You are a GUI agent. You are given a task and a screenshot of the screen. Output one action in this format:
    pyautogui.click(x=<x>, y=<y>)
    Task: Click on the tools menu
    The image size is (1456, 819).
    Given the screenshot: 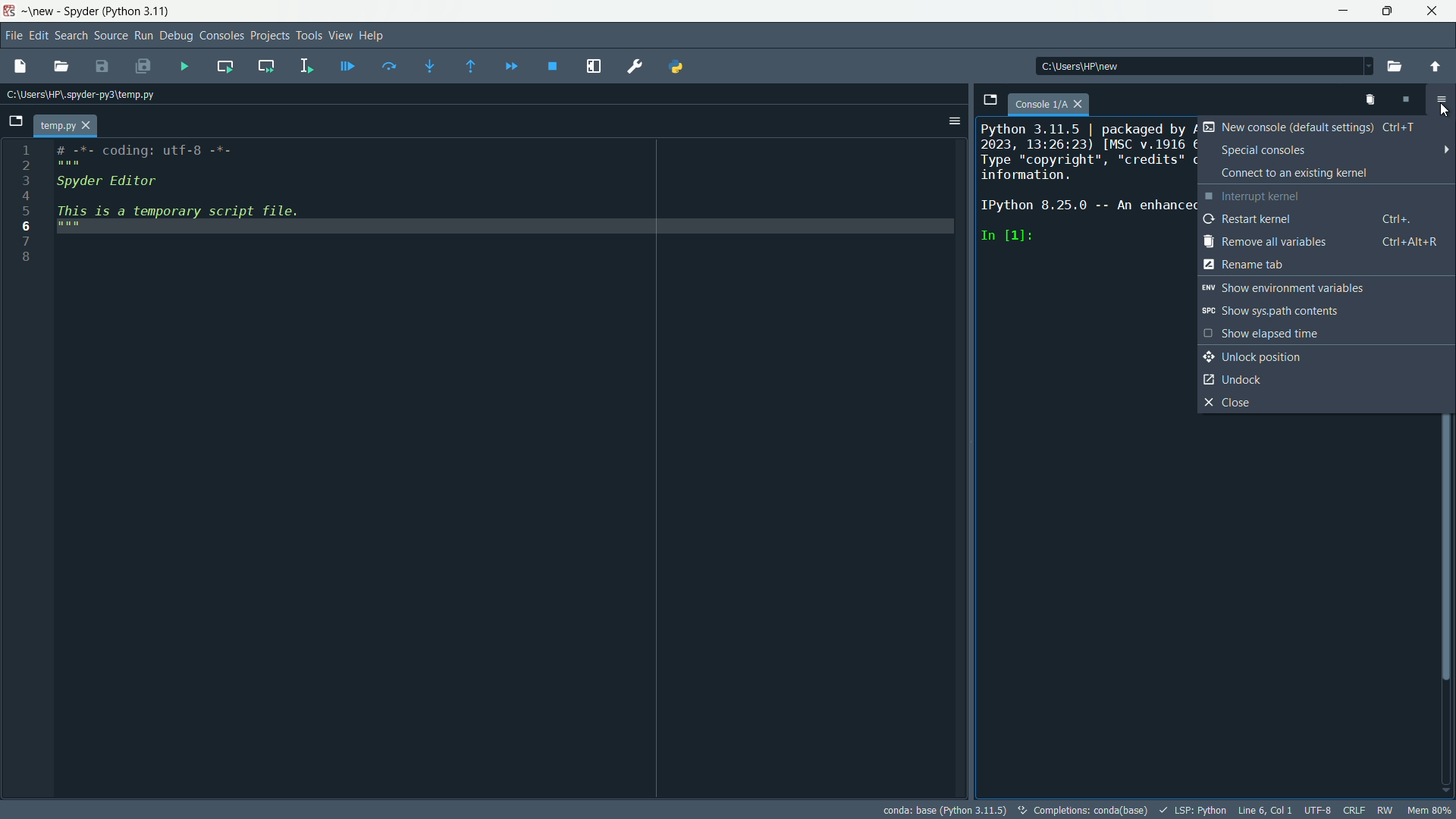 What is the action you would take?
    pyautogui.click(x=309, y=36)
    